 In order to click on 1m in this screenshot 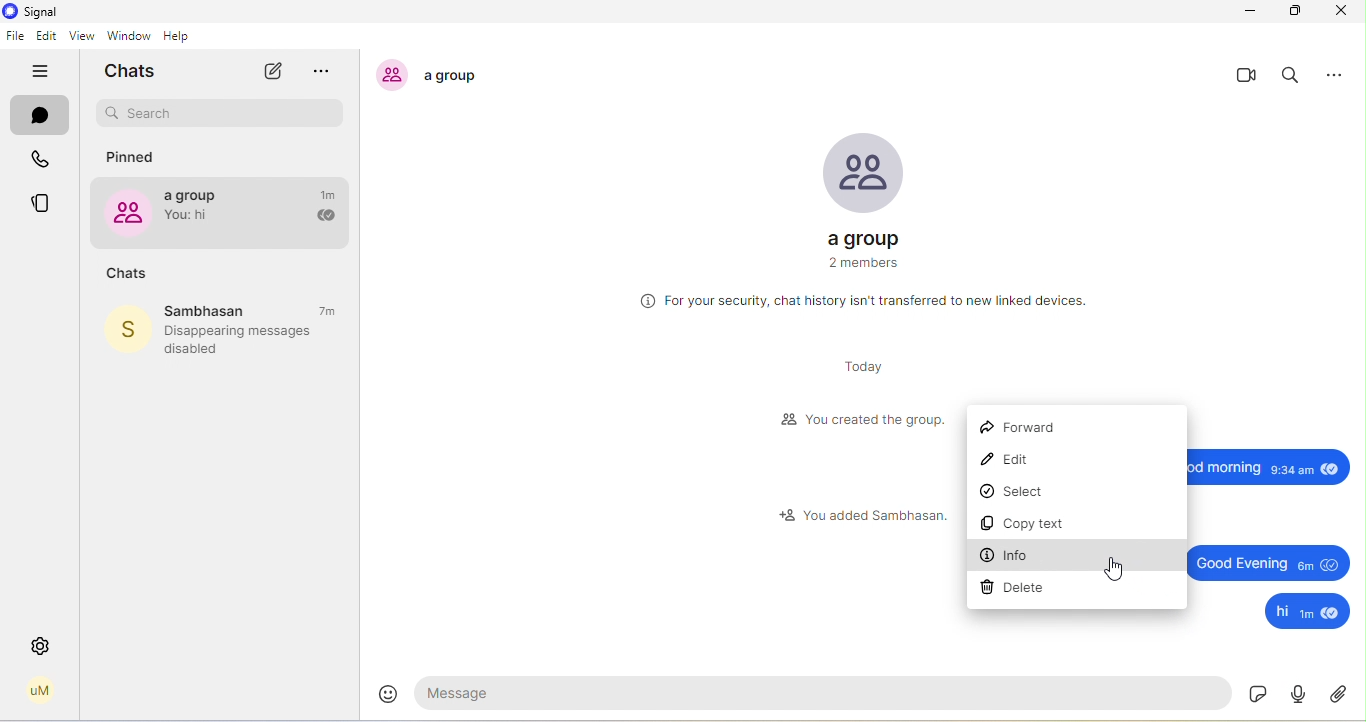, I will do `click(330, 194)`.